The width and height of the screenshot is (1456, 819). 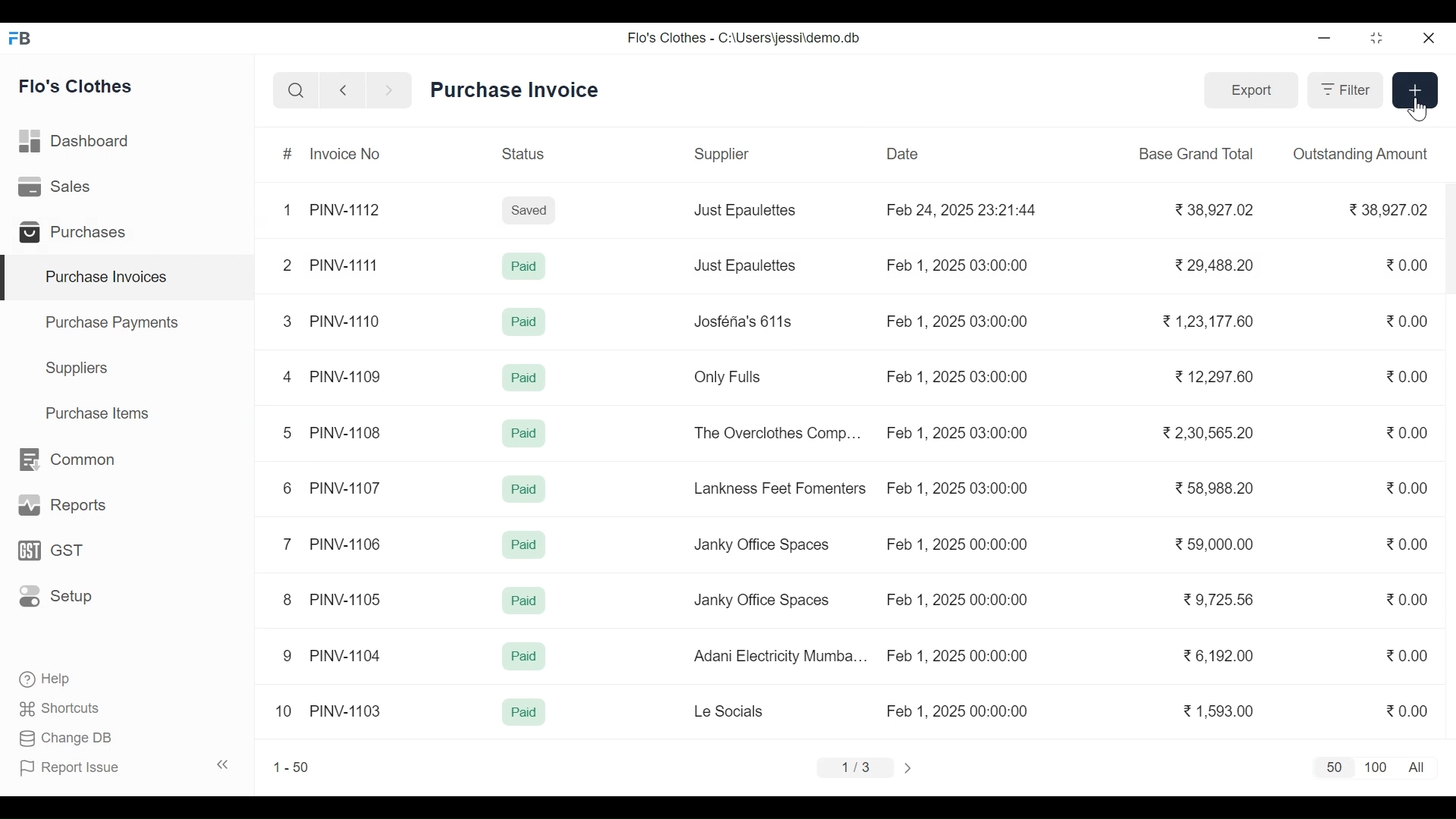 What do you see at coordinates (1407, 375) in the screenshot?
I see `0.00` at bounding box center [1407, 375].